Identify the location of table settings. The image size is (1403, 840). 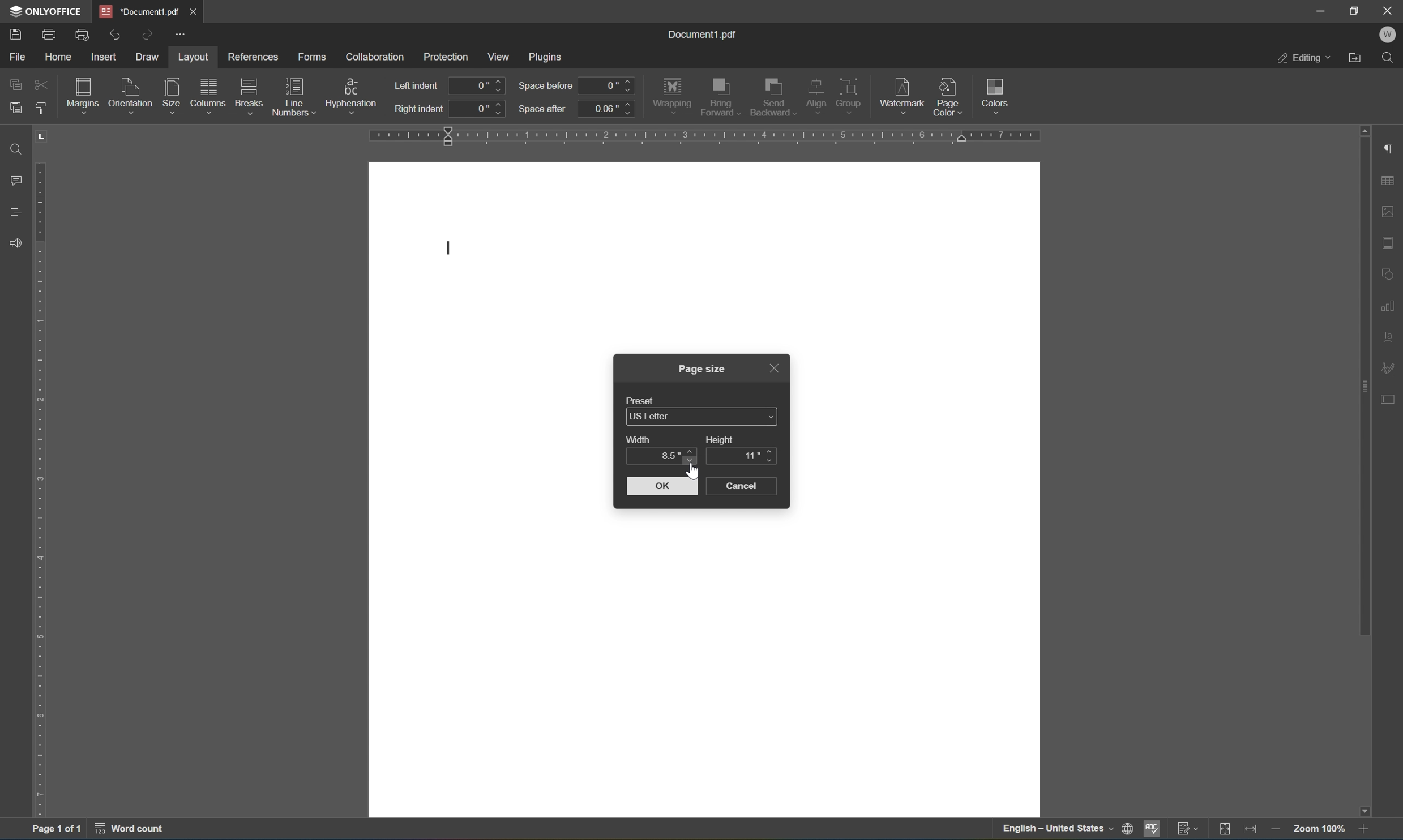
(1389, 181).